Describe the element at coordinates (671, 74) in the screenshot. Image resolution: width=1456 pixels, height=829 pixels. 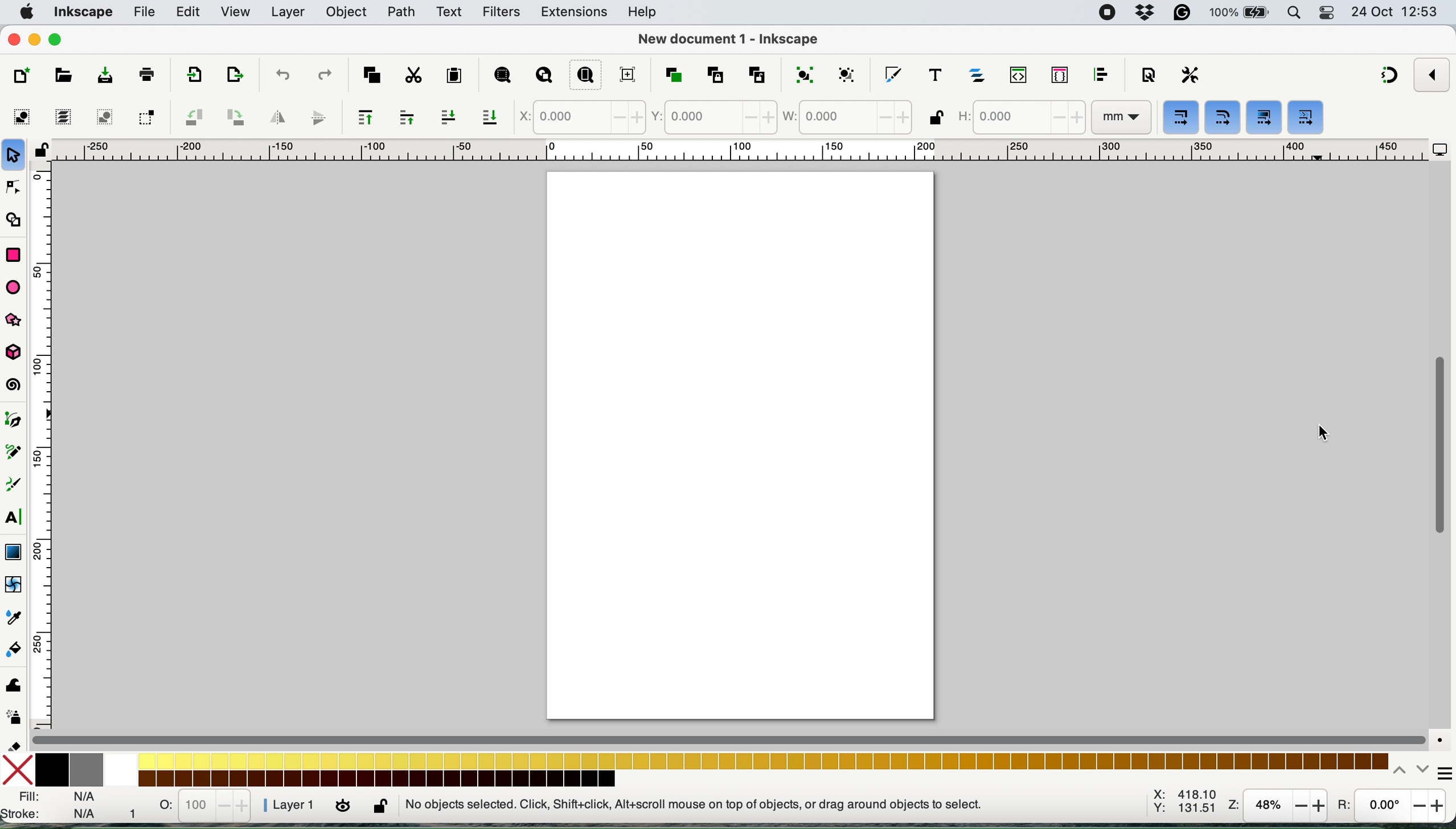
I see `duplicate` at that location.